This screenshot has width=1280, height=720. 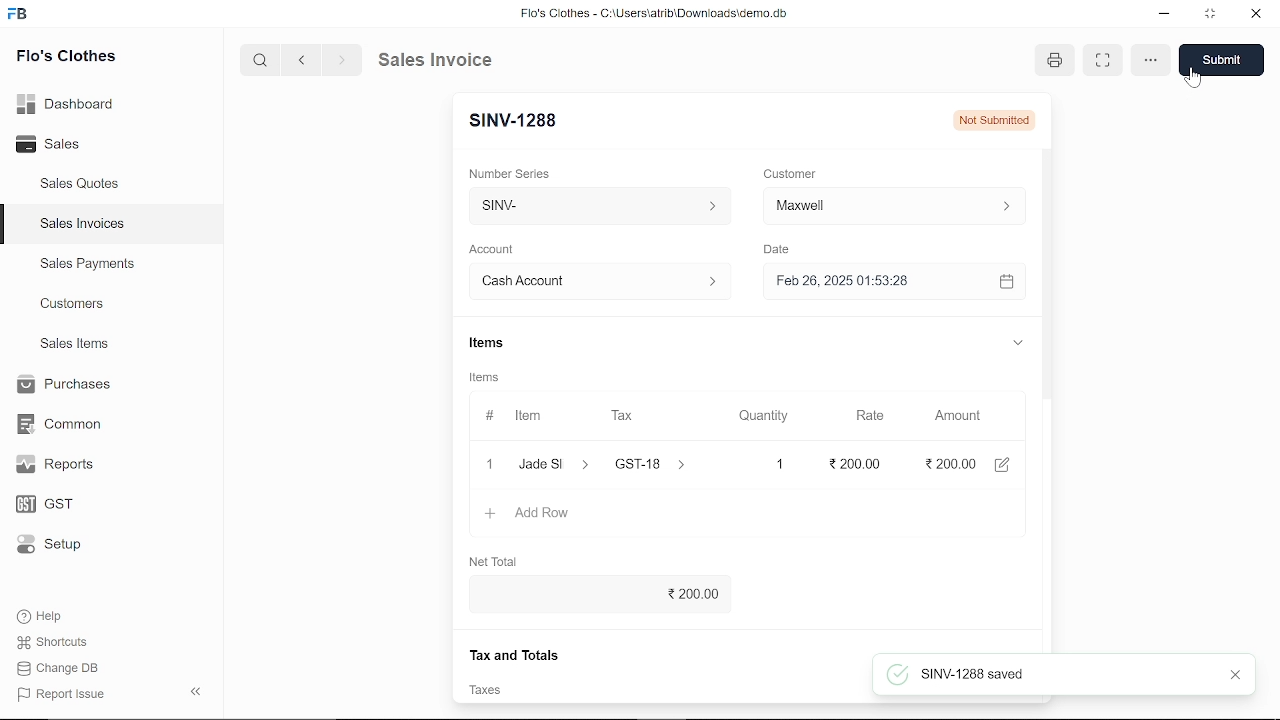 I want to click on Shortcuts, so click(x=63, y=643).